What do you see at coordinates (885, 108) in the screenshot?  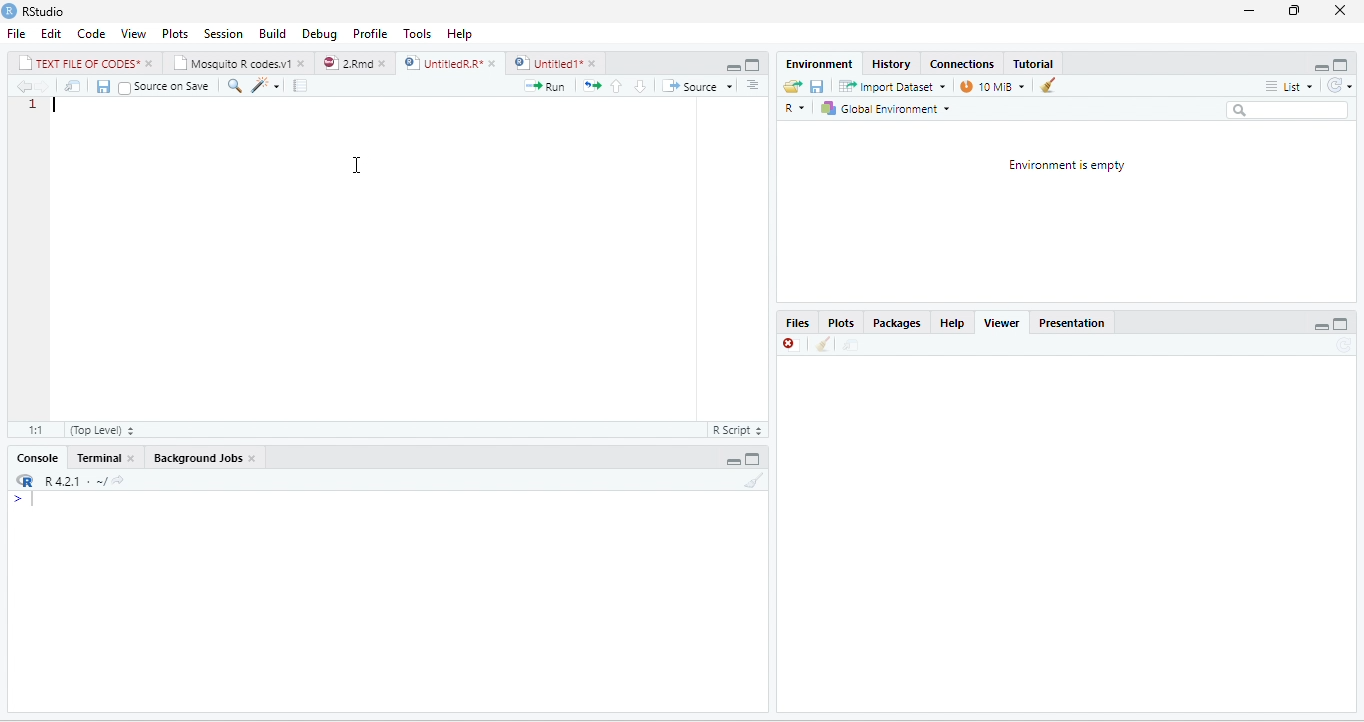 I see `| Global Environment =` at bounding box center [885, 108].